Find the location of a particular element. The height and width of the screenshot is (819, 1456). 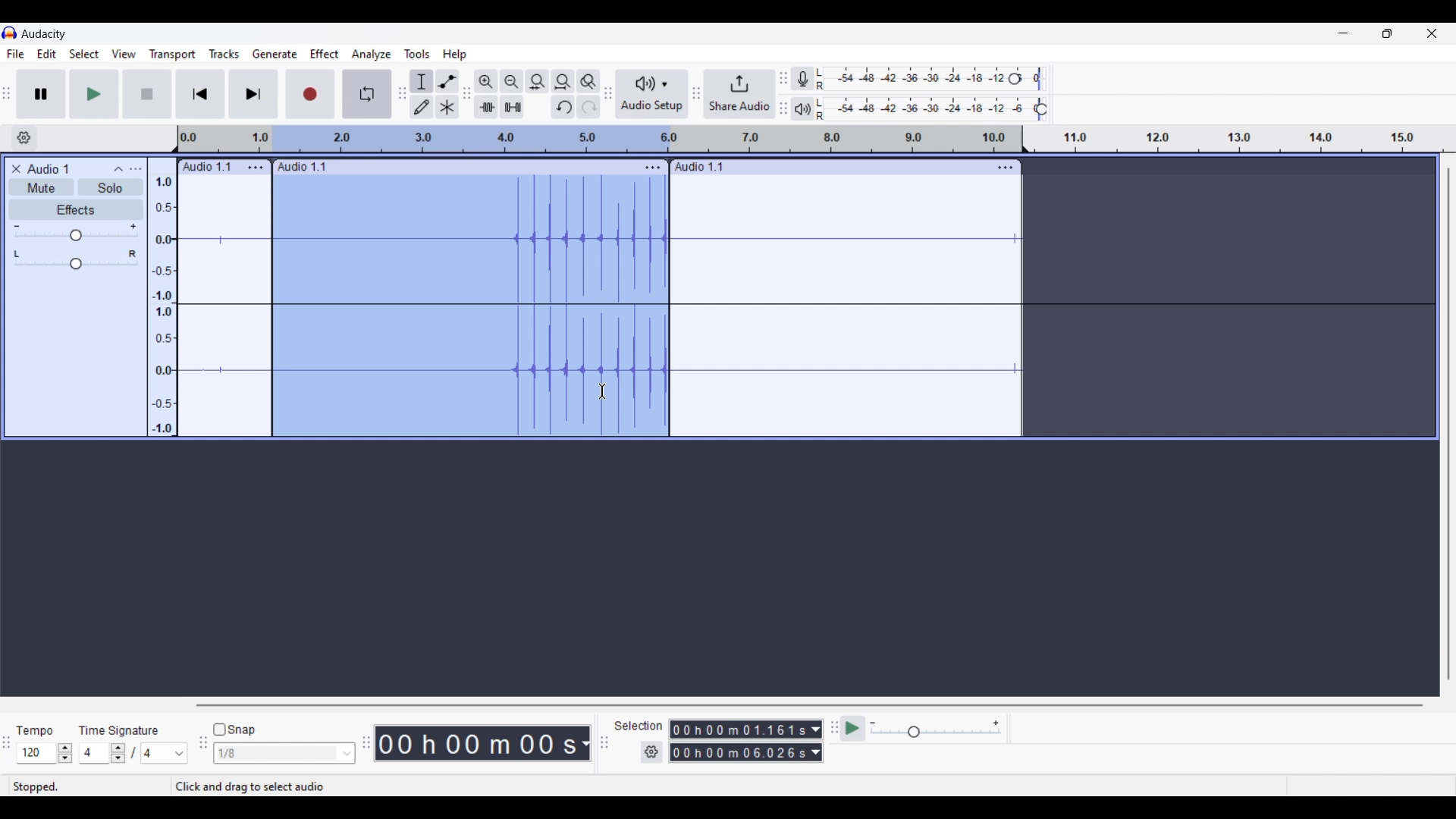

Play-at-speed/Play-at-speed once is located at coordinates (852, 729).